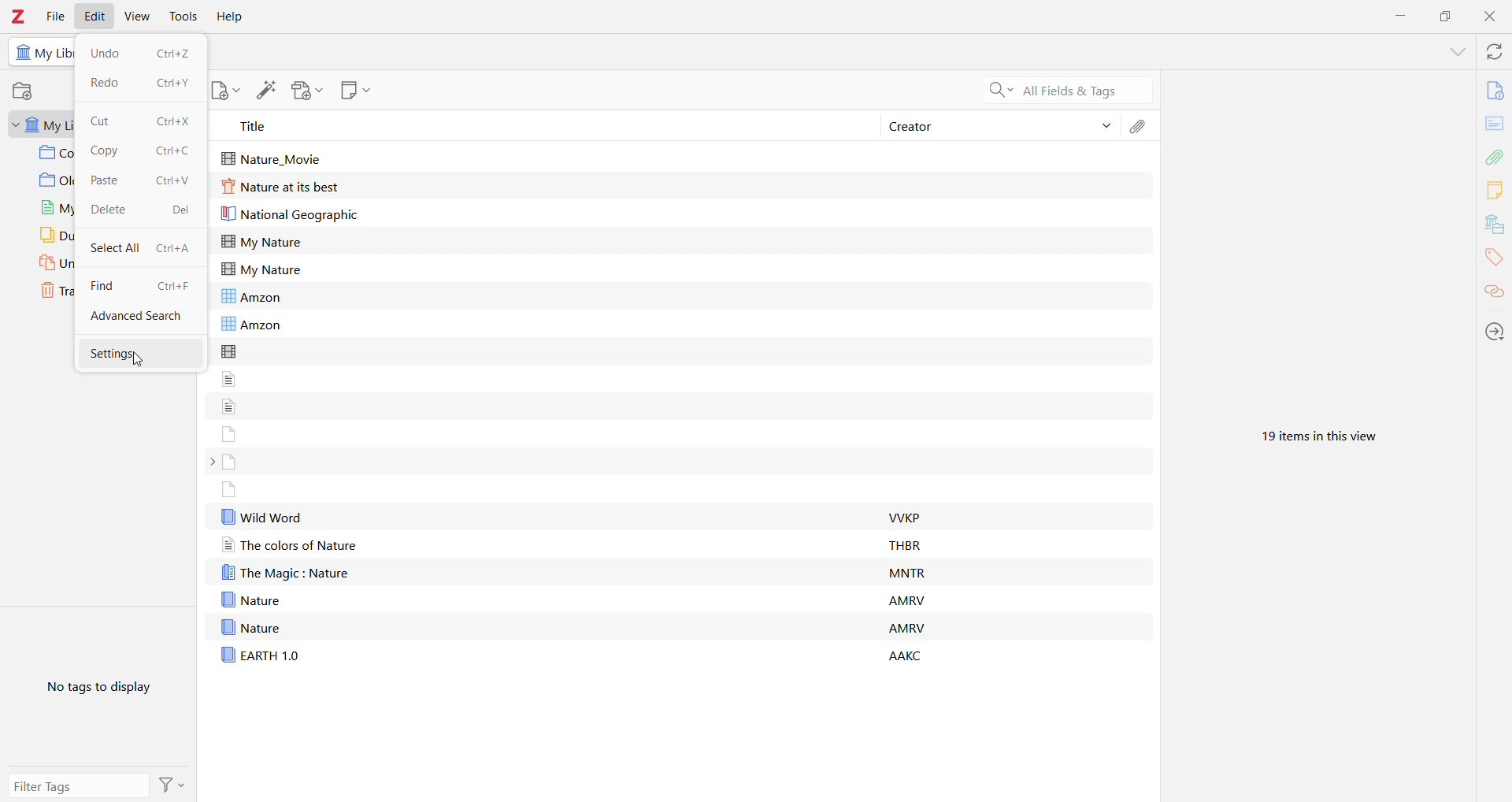 This screenshot has height=802, width=1512. I want to click on Select All, so click(114, 247).